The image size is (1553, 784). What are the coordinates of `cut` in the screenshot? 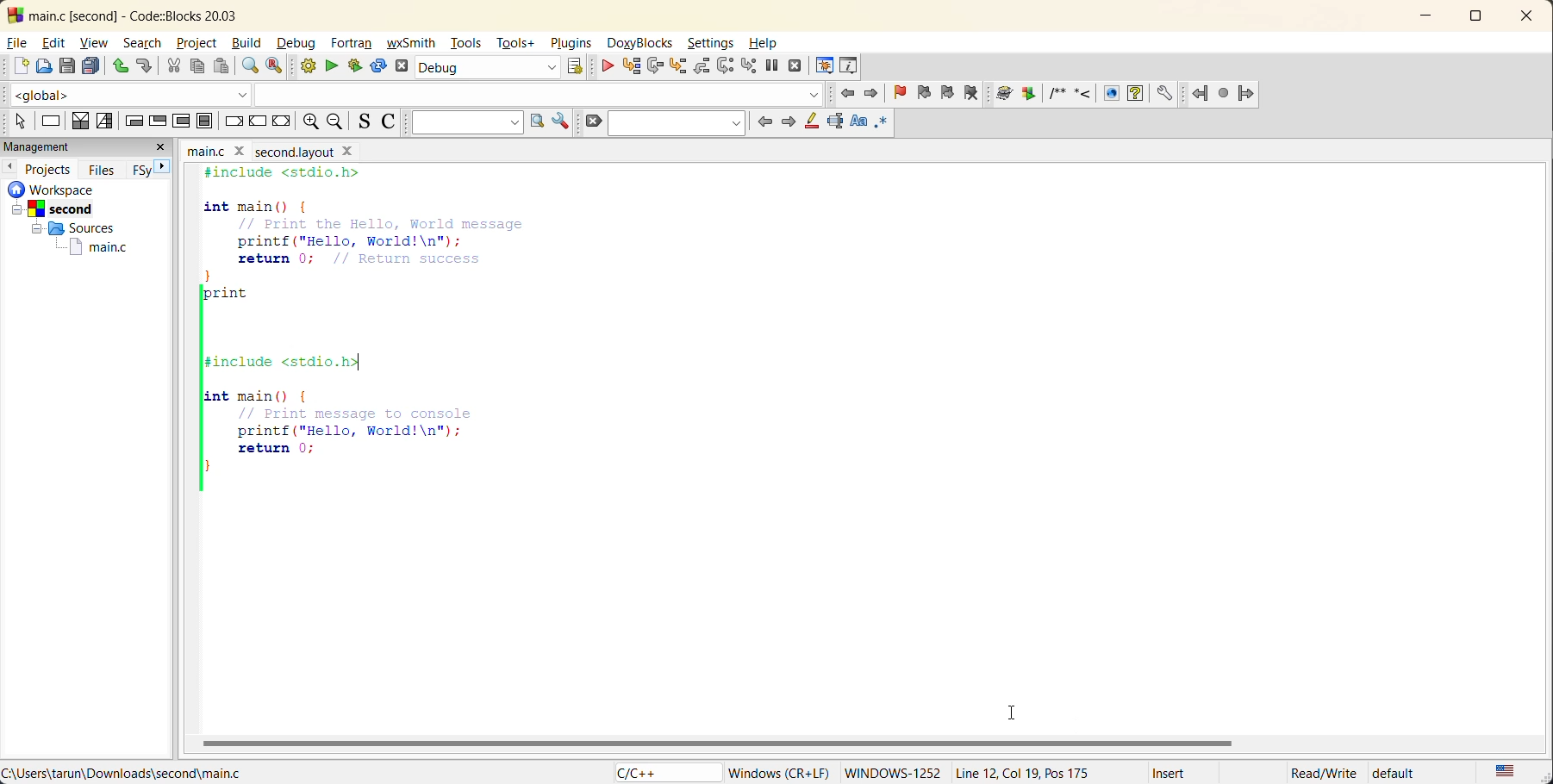 It's located at (173, 65).